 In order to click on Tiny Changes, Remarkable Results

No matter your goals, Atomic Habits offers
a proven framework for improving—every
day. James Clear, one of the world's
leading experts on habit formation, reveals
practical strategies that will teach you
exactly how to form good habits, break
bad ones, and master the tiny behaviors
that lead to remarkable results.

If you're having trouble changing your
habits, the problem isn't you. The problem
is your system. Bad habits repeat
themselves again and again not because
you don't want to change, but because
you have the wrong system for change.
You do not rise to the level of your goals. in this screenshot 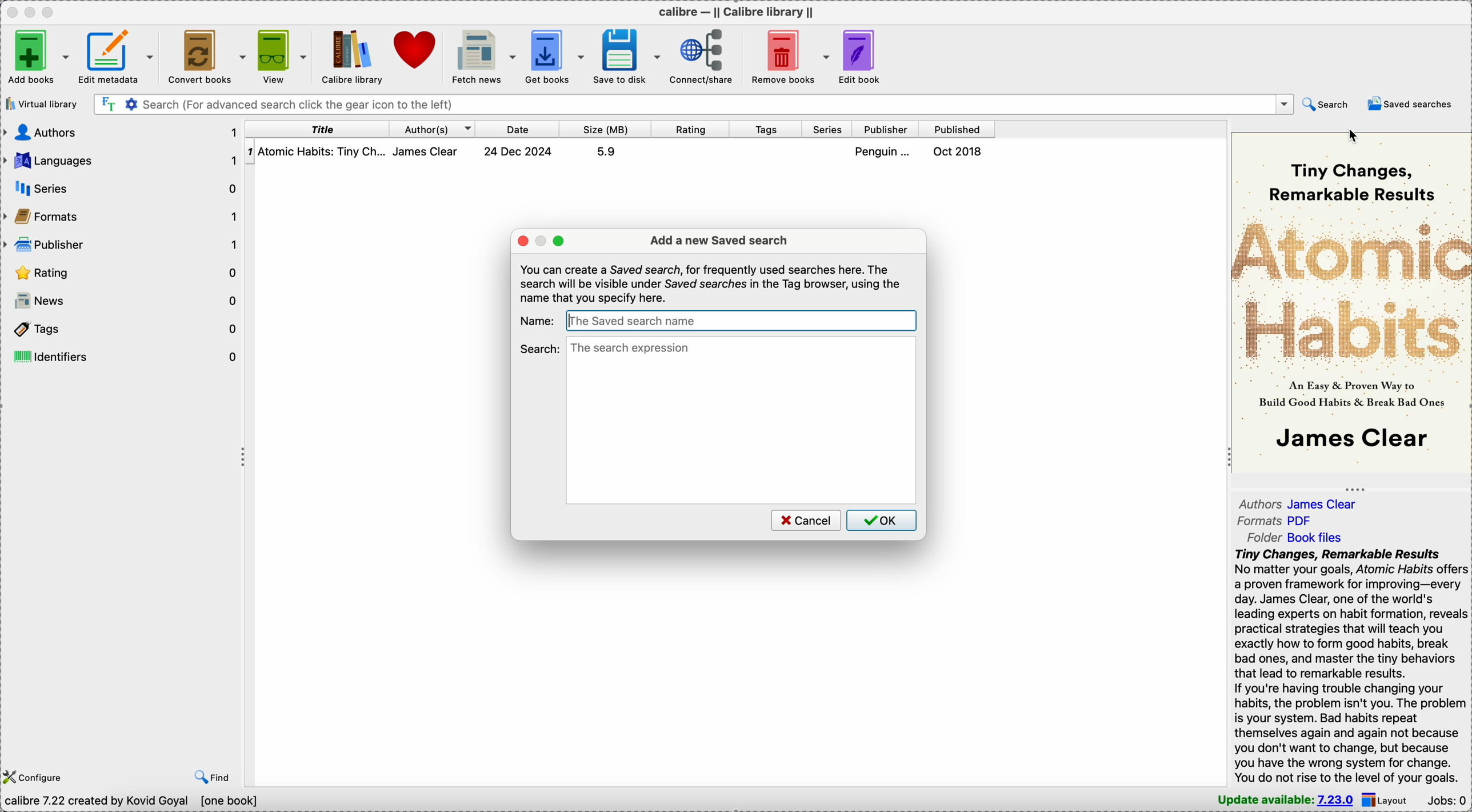, I will do `click(1346, 665)`.